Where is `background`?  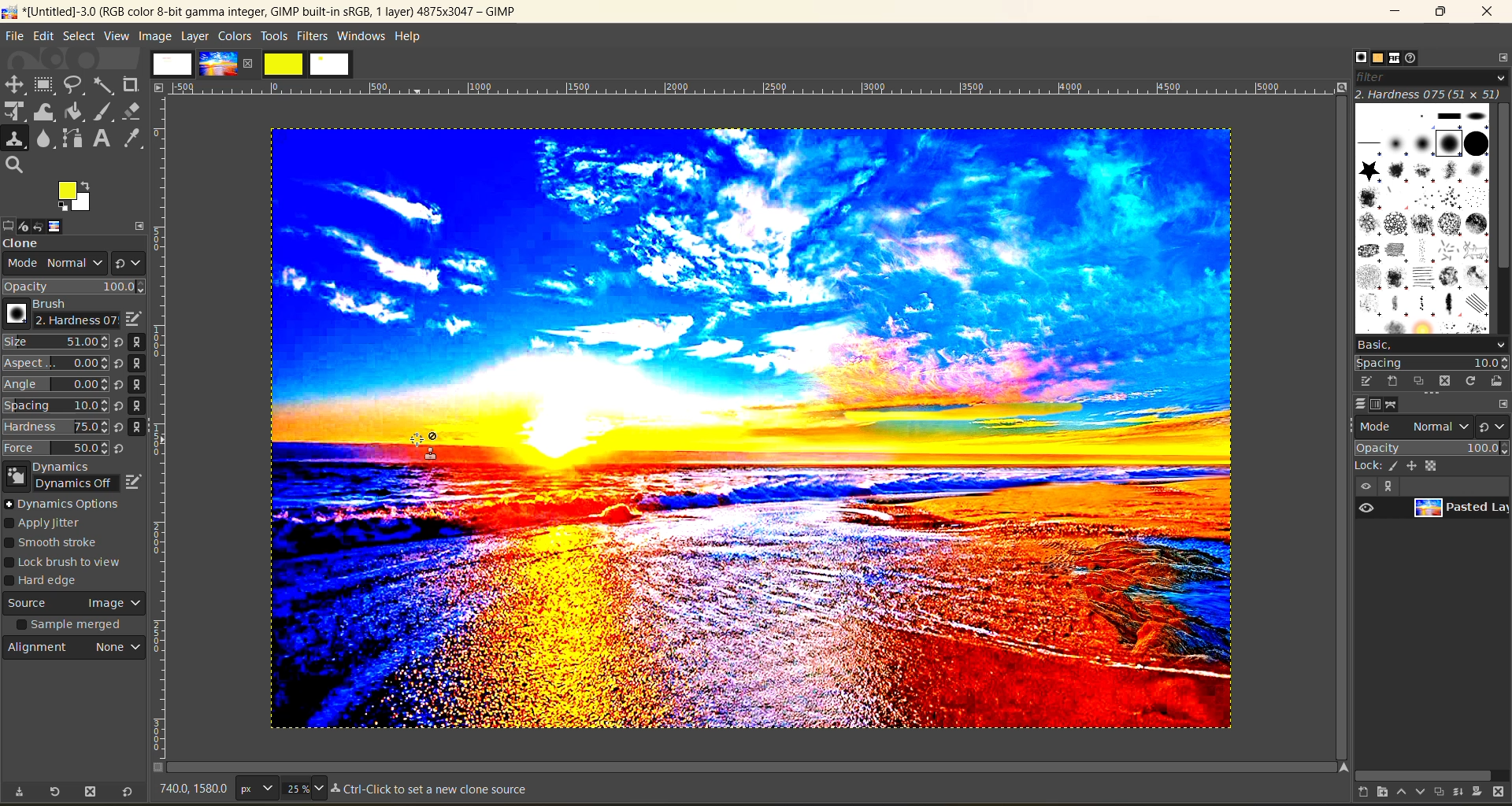 background is located at coordinates (1435, 465).